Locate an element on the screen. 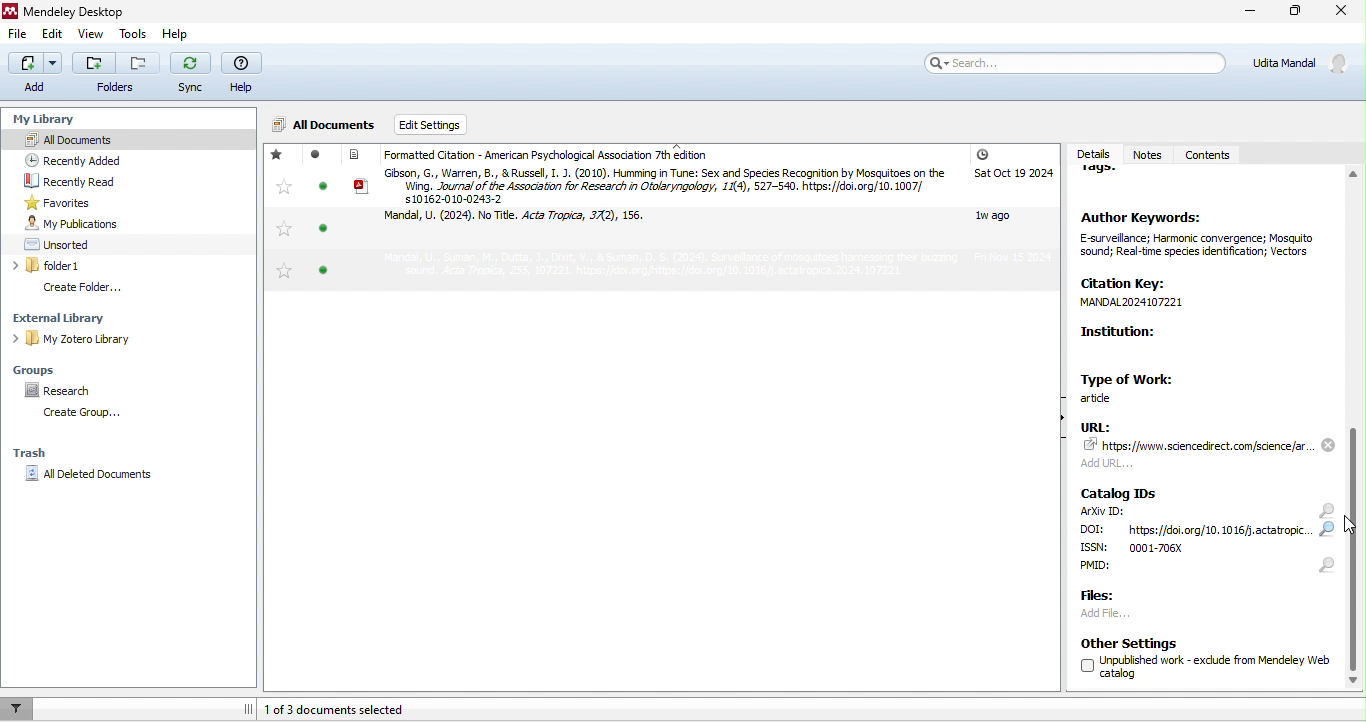  my publication is located at coordinates (94, 223).